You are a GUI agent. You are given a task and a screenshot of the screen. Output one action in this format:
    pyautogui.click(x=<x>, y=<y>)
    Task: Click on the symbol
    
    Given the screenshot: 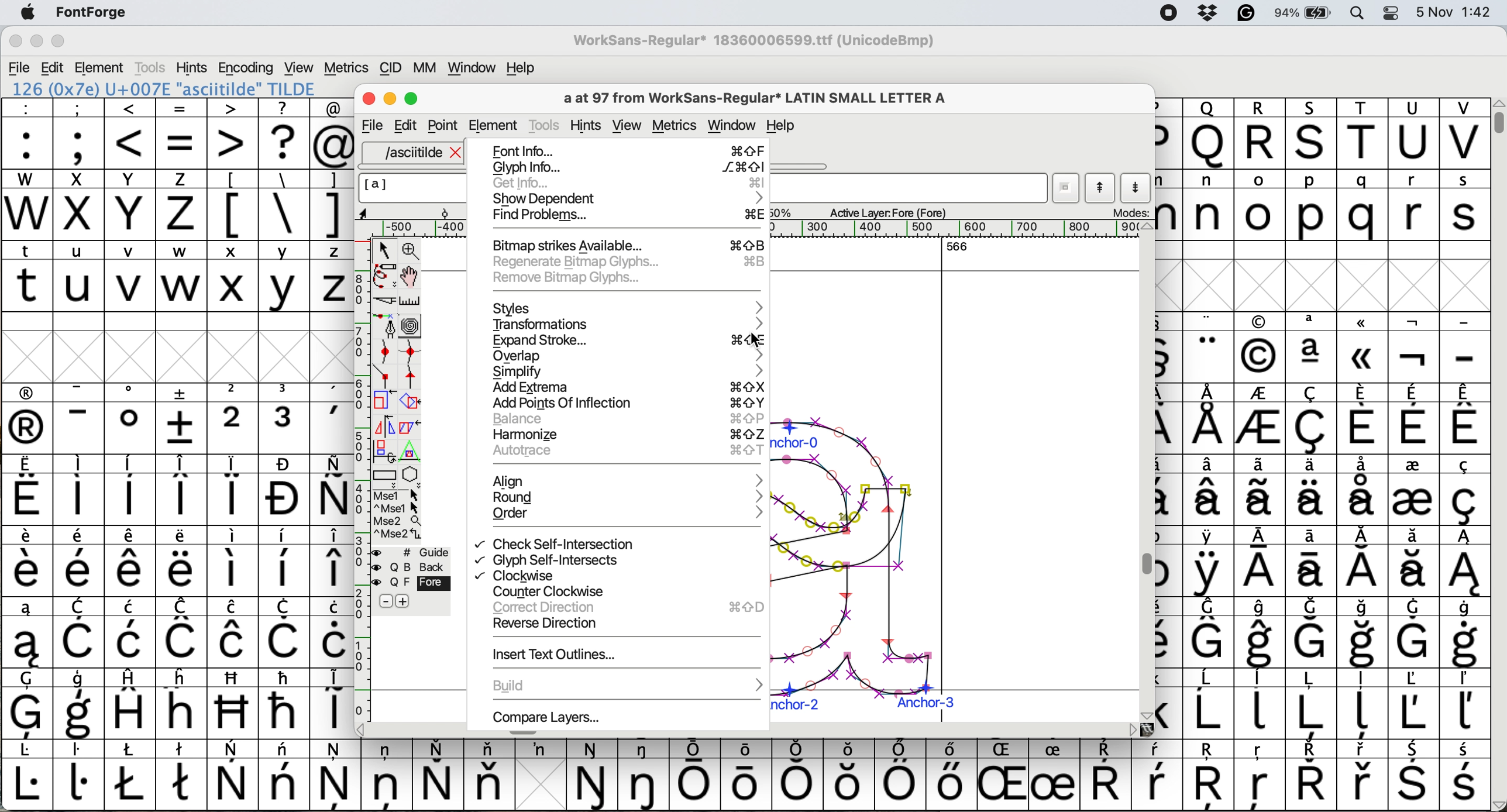 What is the action you would take?
    pyautogui.click(x=1464, y=562)
    